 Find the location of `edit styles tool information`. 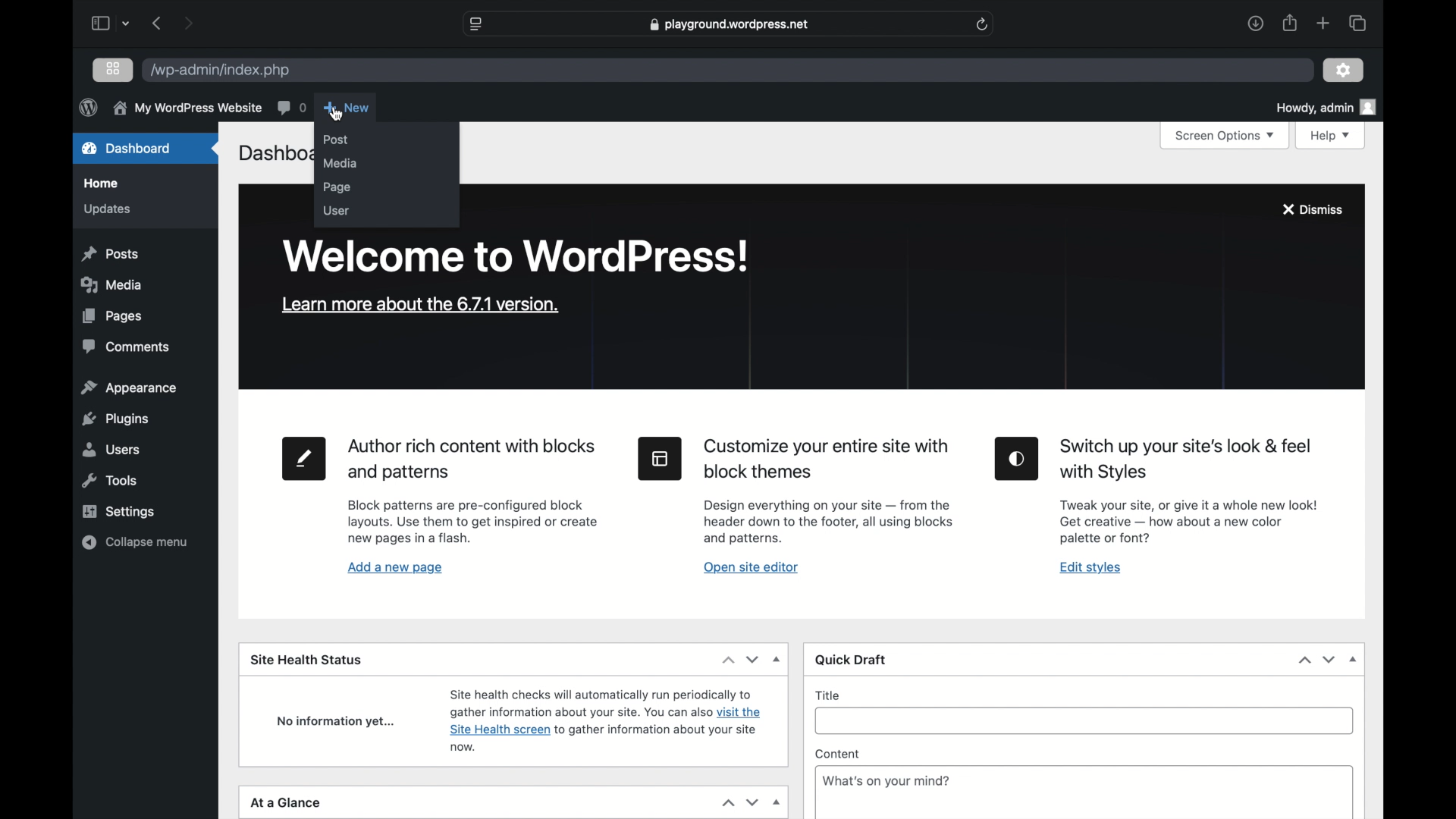

edit styles tool information is located at coordinates (1188, 521).